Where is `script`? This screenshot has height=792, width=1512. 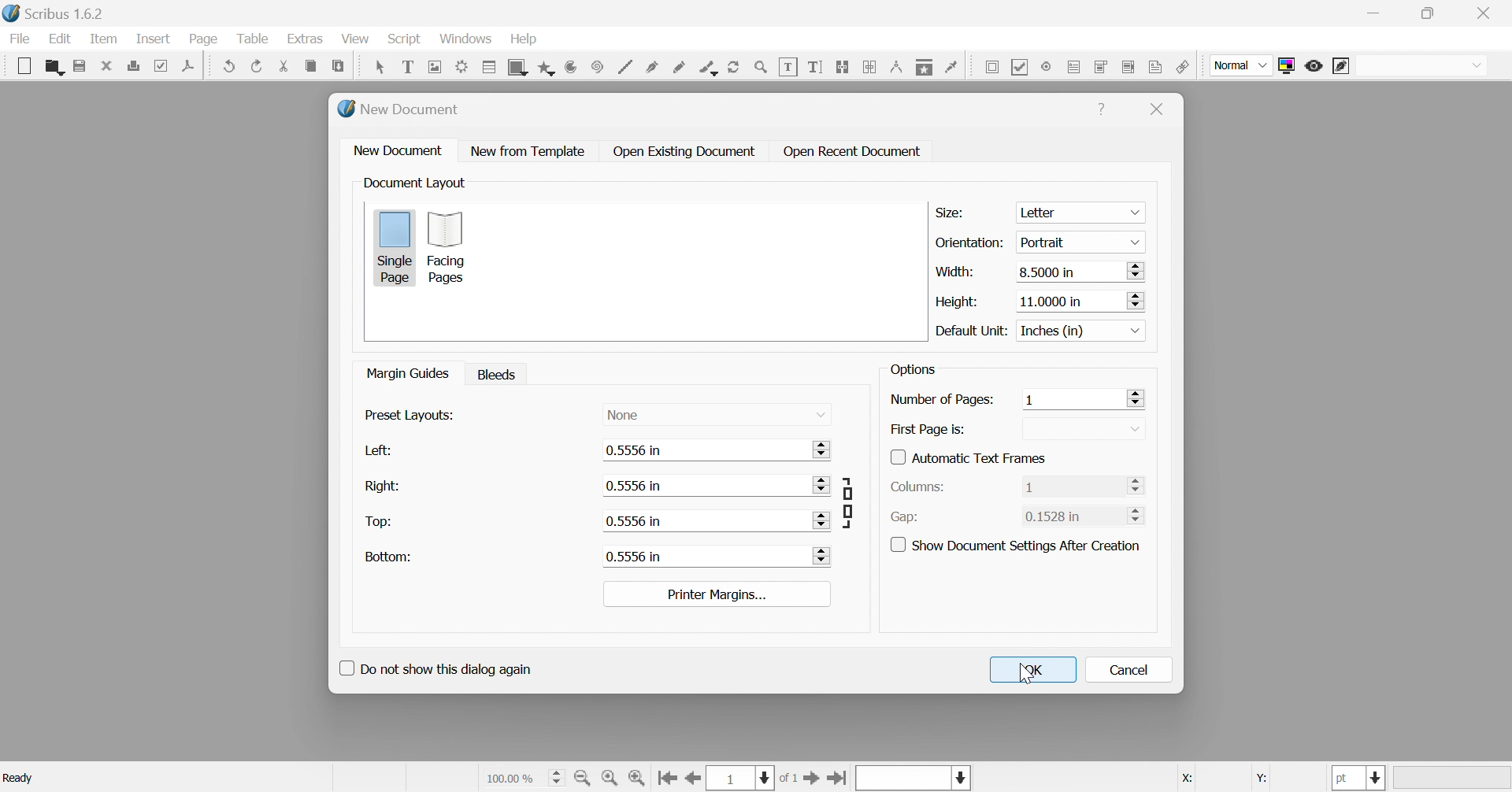
script is located at coordinates (404, 39).